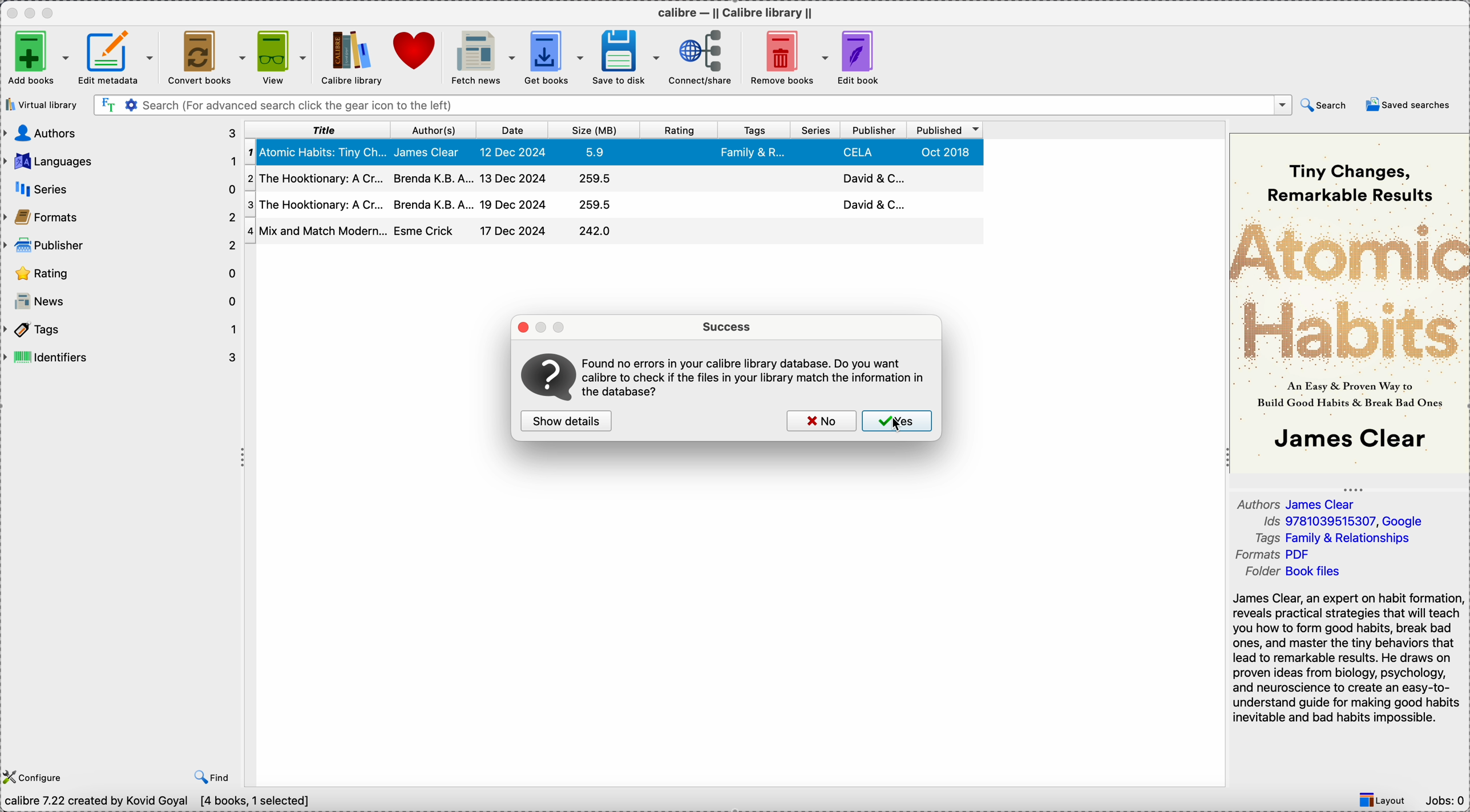  What do you see at coordinates (754, 130) in the screenshot?
I see `tags` at bounding box center [754, 130].